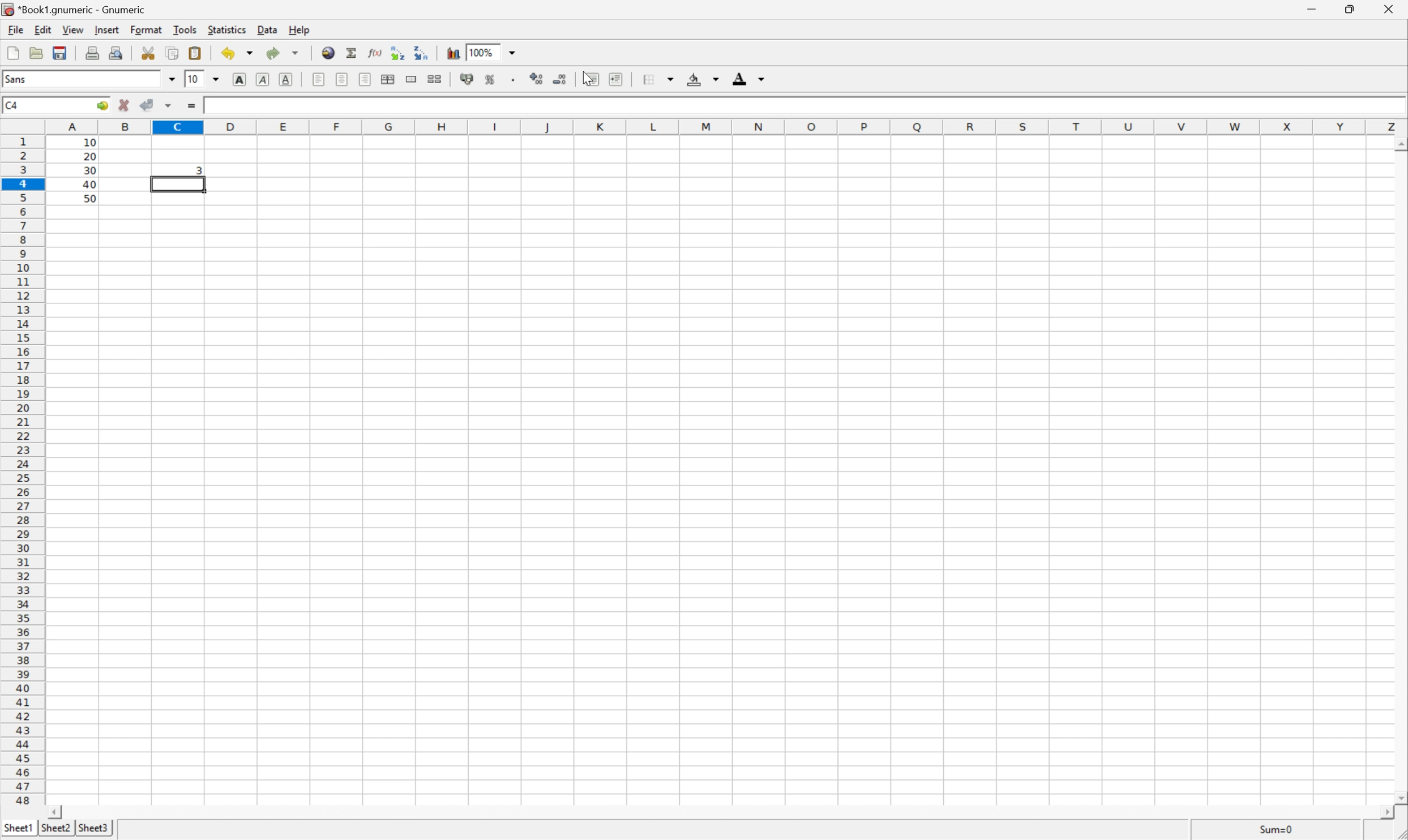 This screenshot has width=1408, height=840. What do you see at coordinates (1270, 829) in the screenshot?
I see `Sum=10` at bounding box center [1270, 829].